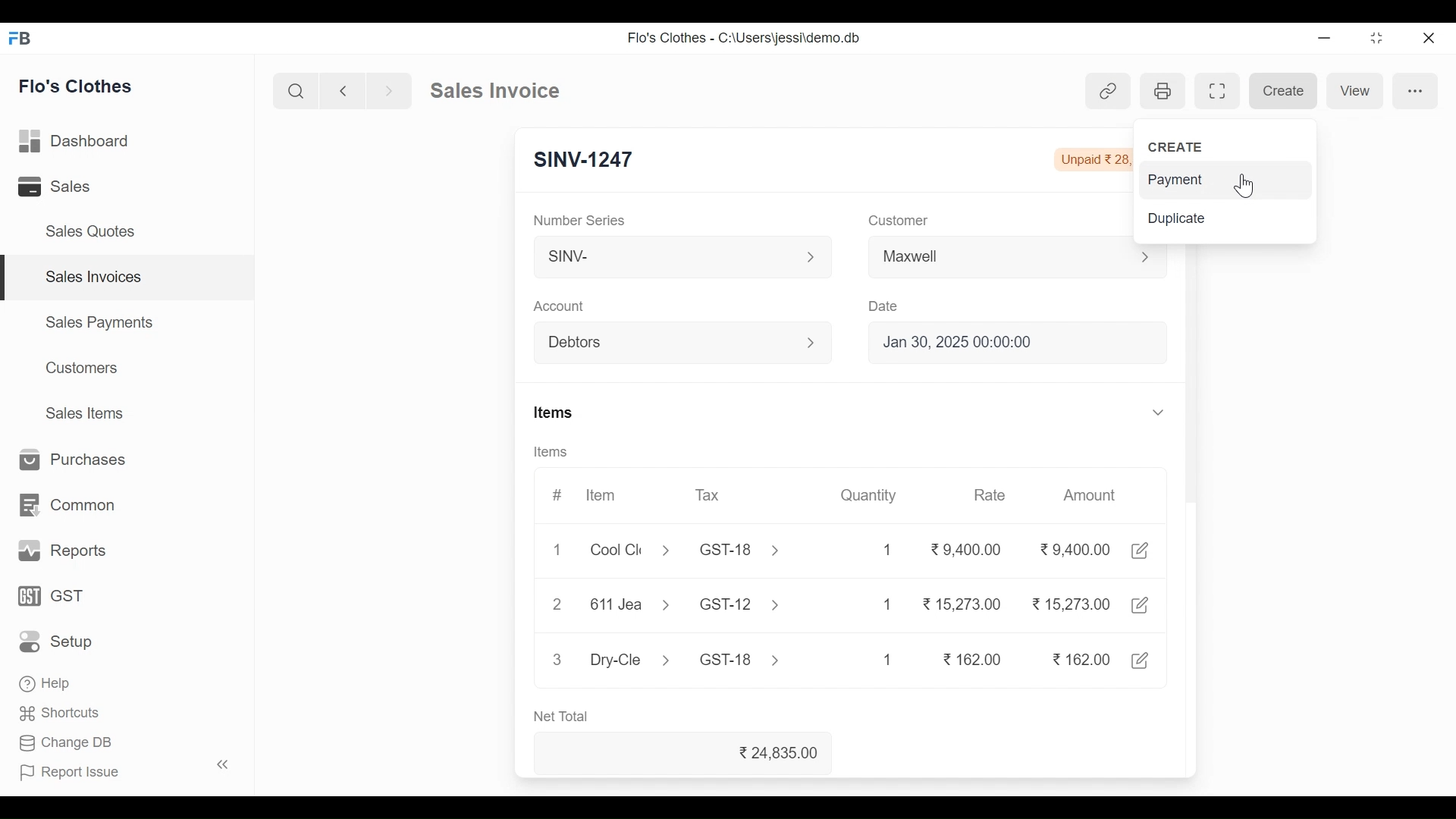 This screenshot has height=819, width=1456. I want to click on 162.00, so click(974, 659).